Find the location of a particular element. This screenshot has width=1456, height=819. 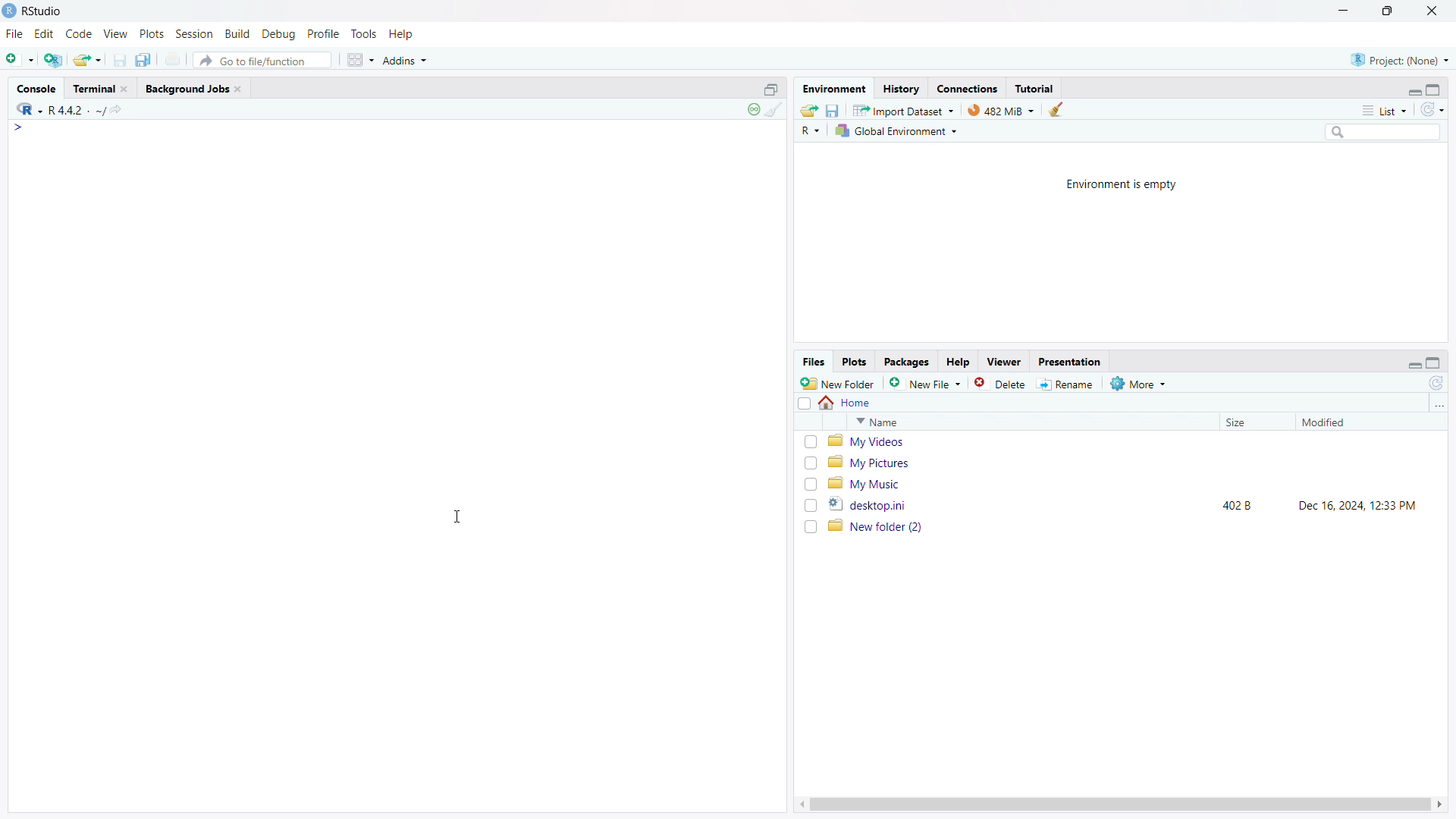

help is located at coordinates (402, 34).